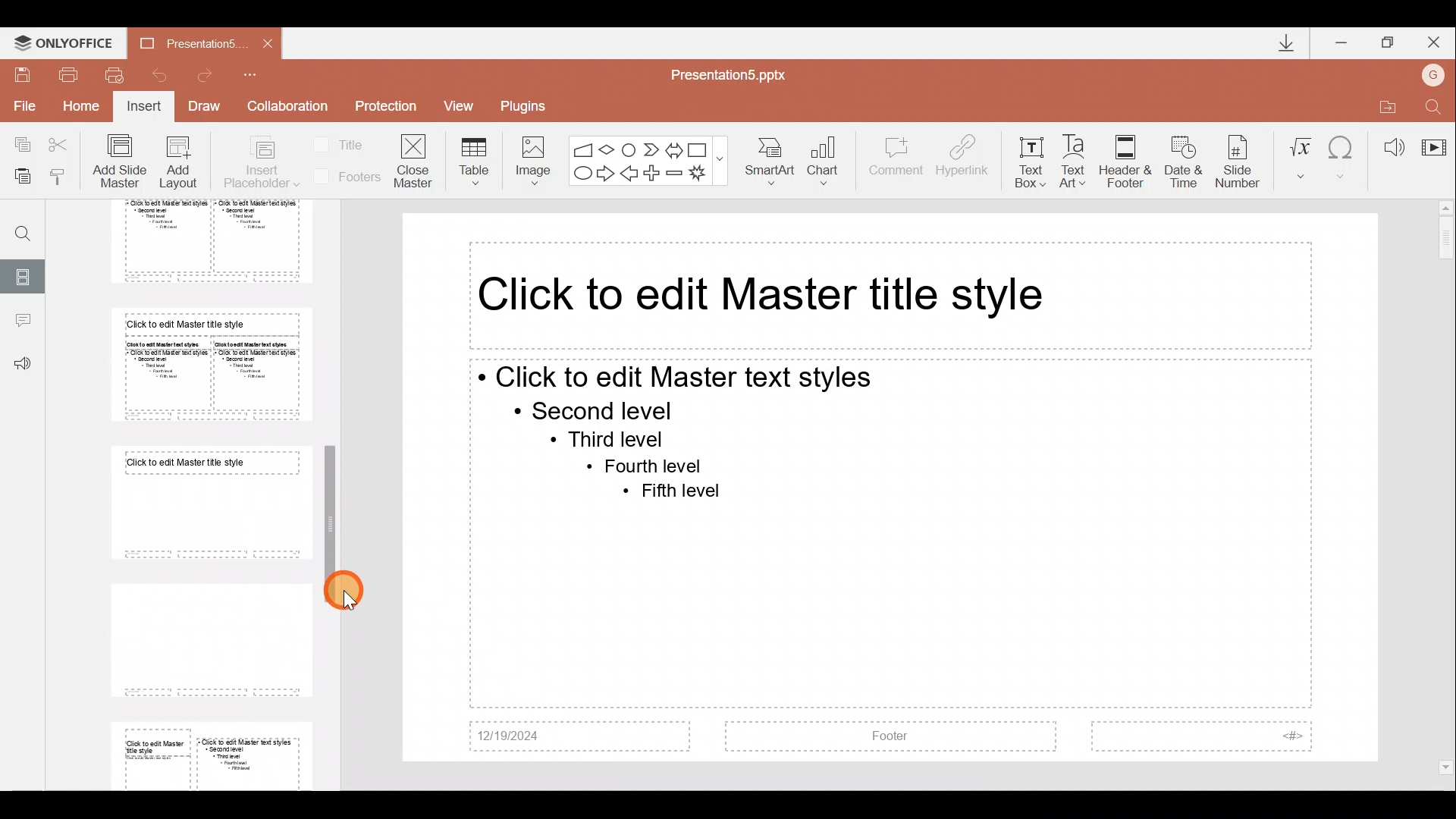  Describe the element at coordinates (892, 488) in the screenshot. I see `Presentation slide` at that location.